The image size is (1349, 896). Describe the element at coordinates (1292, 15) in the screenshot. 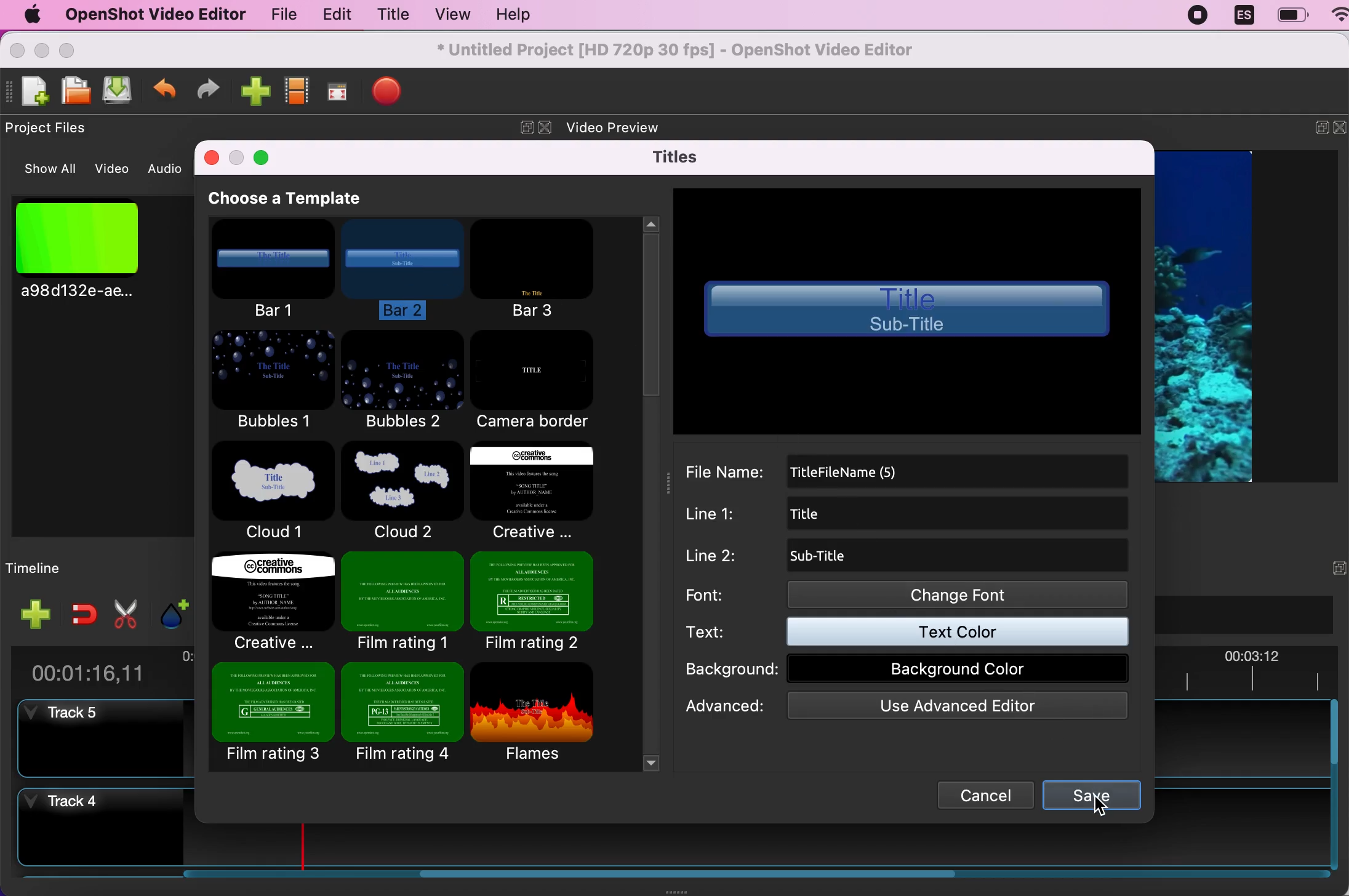

I see `battery` at that location.